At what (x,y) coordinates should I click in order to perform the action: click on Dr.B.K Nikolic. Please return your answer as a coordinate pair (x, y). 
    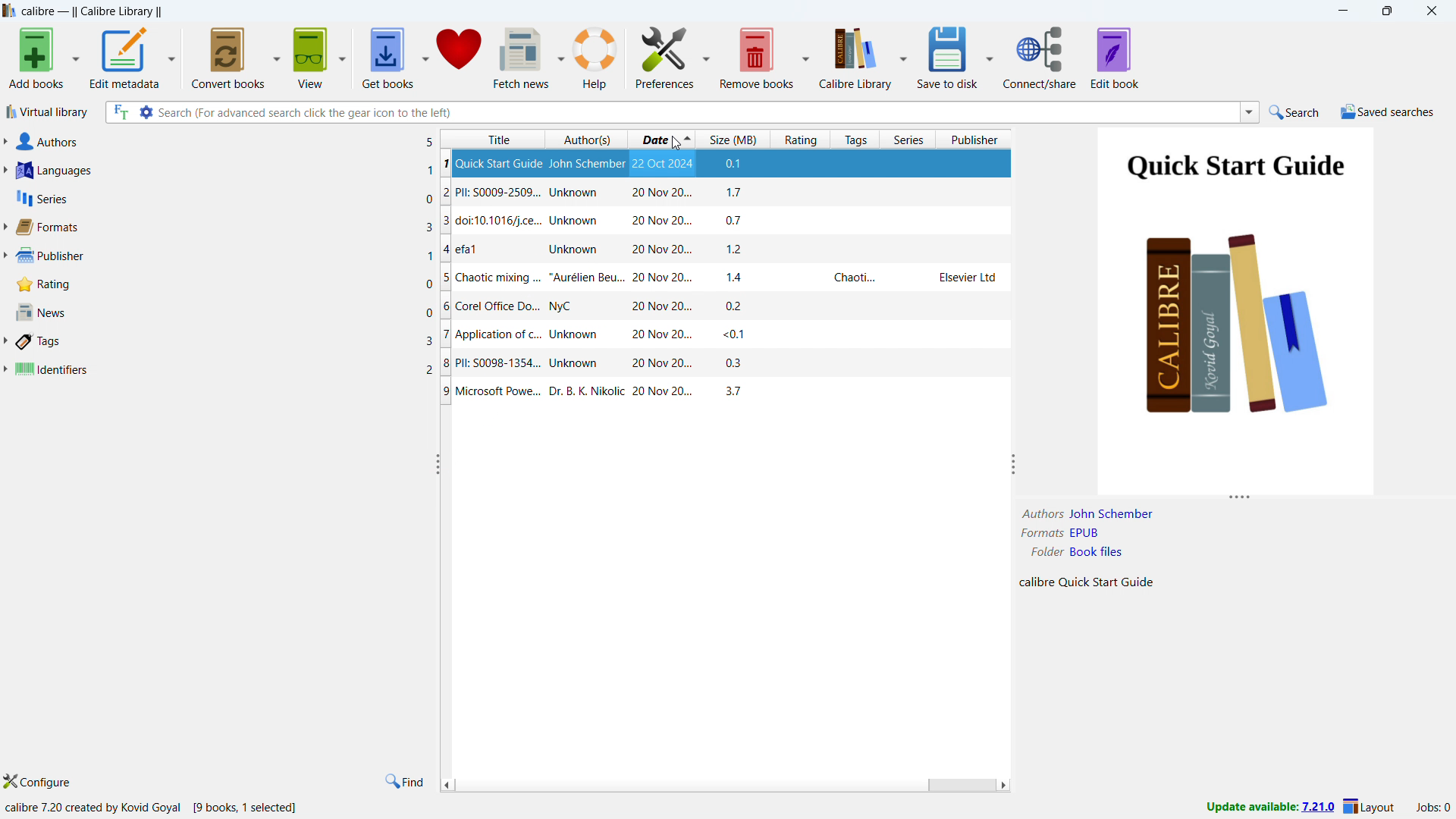
    Looking at the image, I should click on (588, 391).